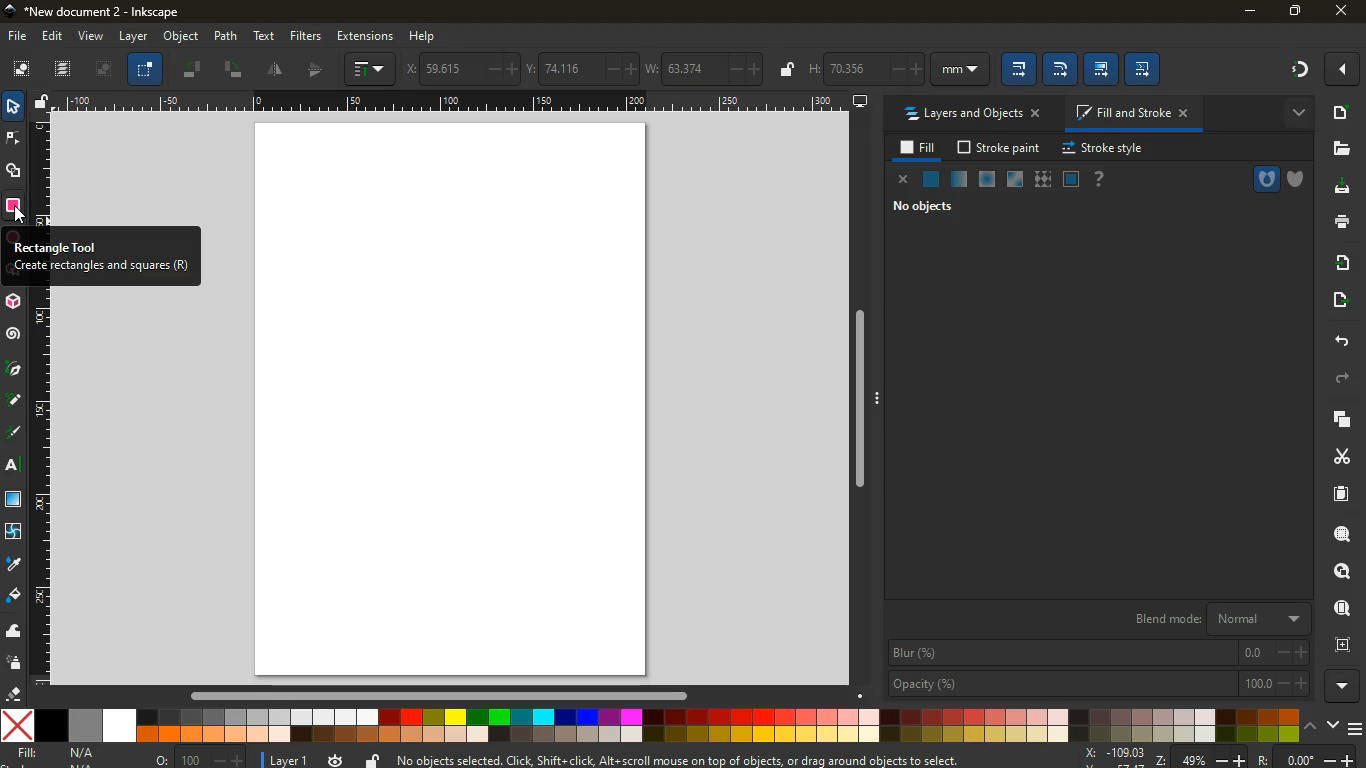  What do you see at coordinates (708, 759) in the screenshot?
I see `message` at bounding box center [708, 759].